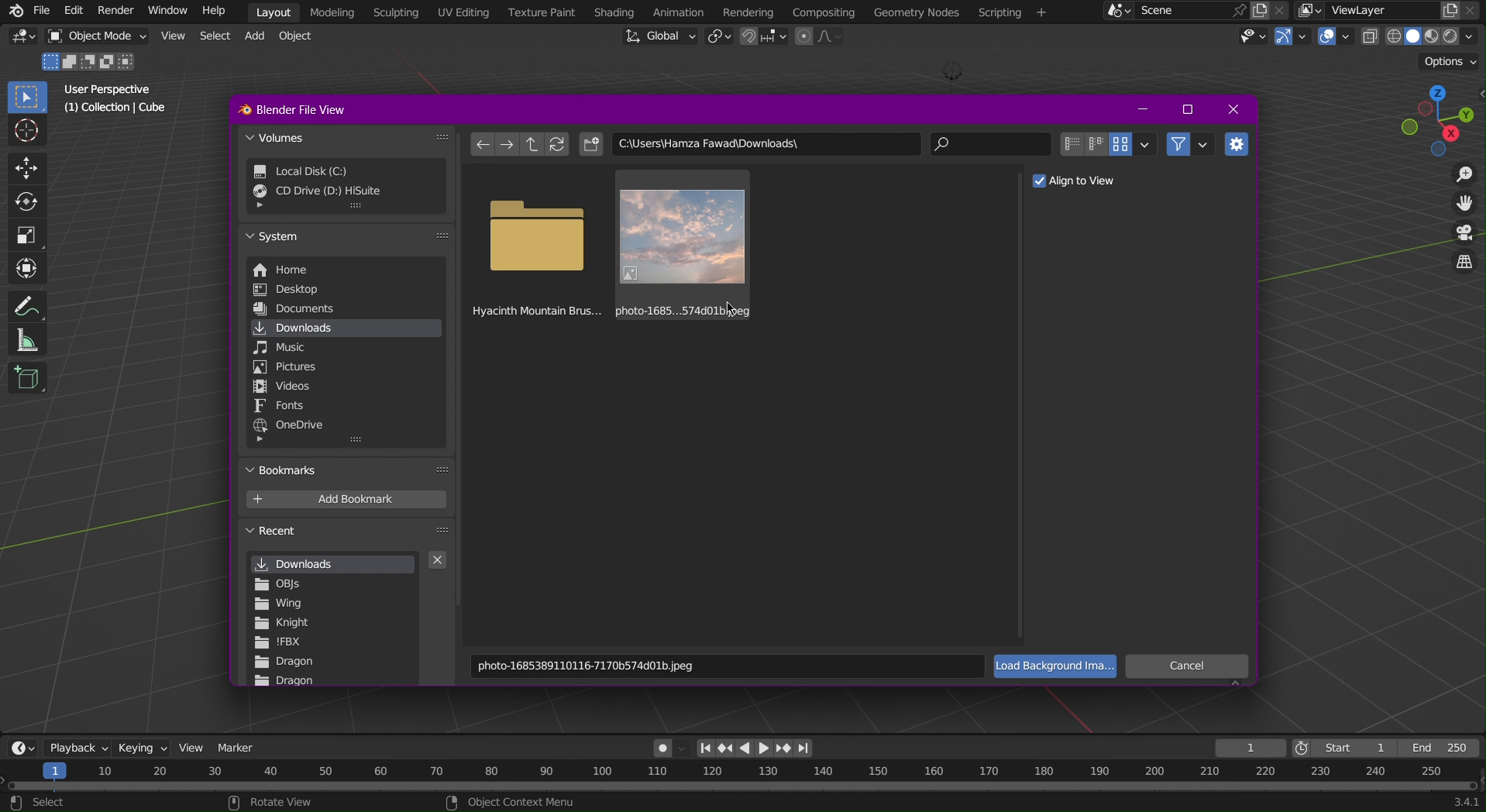 This screenshot has width=1486, height=812. What do you see at coordinates (342, 239) in the screenshot?
I see `System` at bounding box center [342, 239].